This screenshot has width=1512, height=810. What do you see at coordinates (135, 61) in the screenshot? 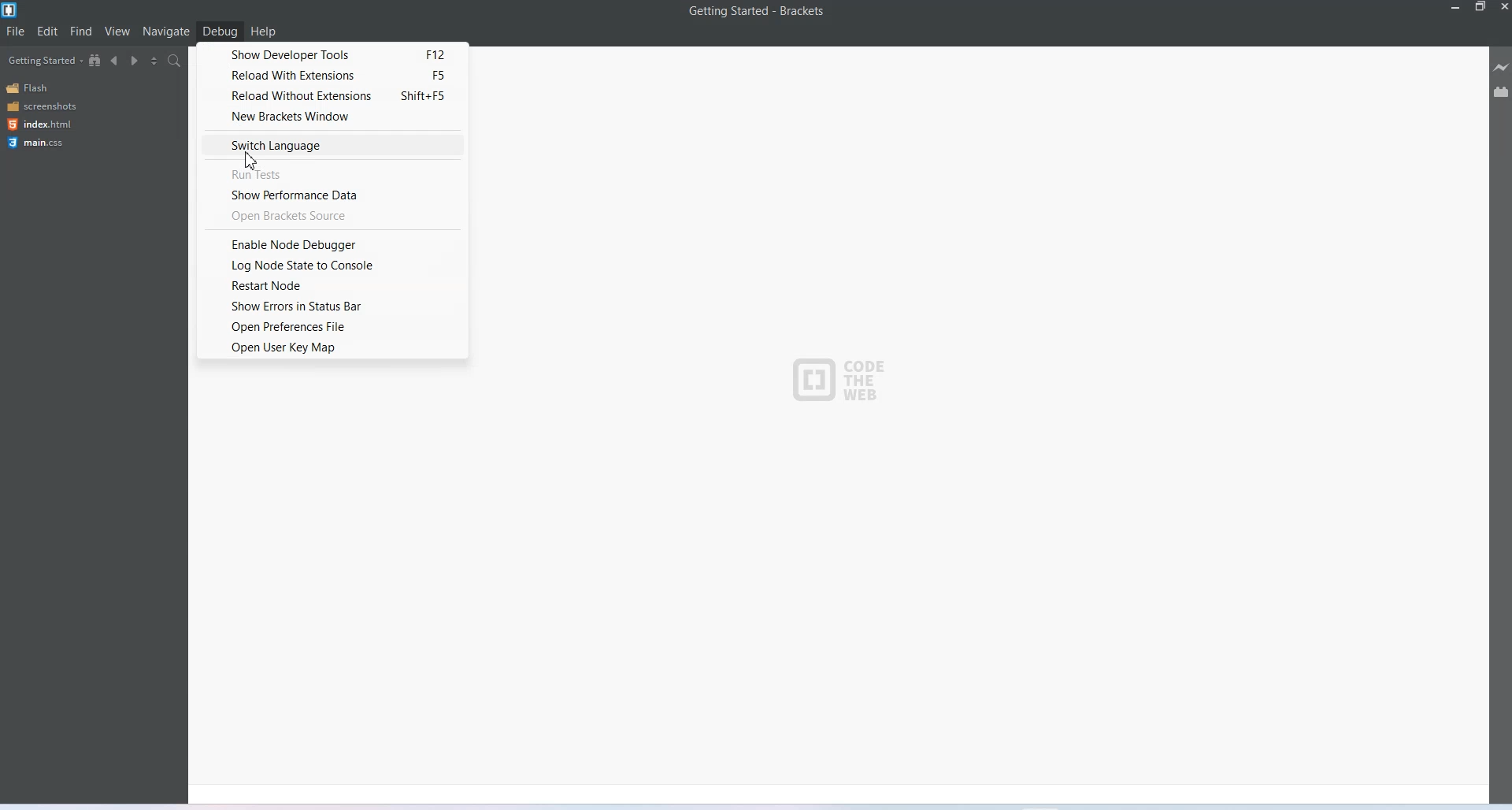
I see `Navigate forward` at bounding box center [135, 61].